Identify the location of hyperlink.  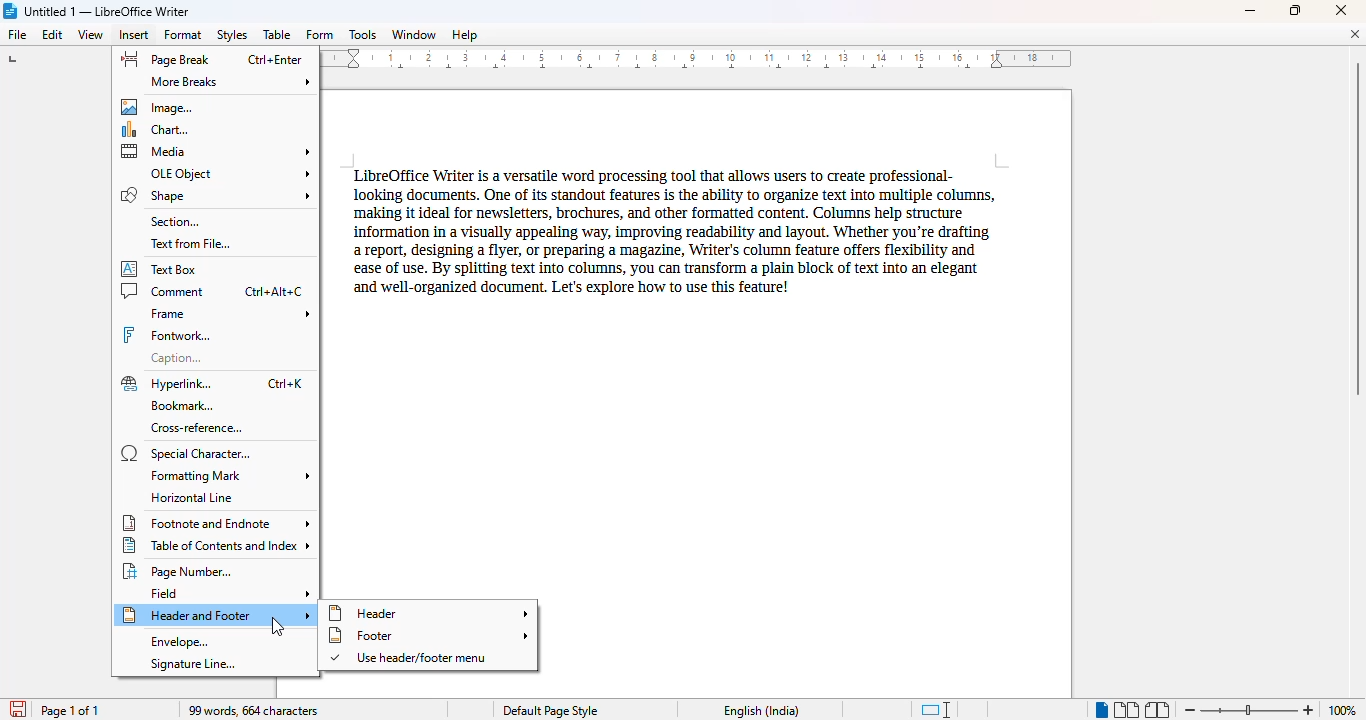
(214, 383).